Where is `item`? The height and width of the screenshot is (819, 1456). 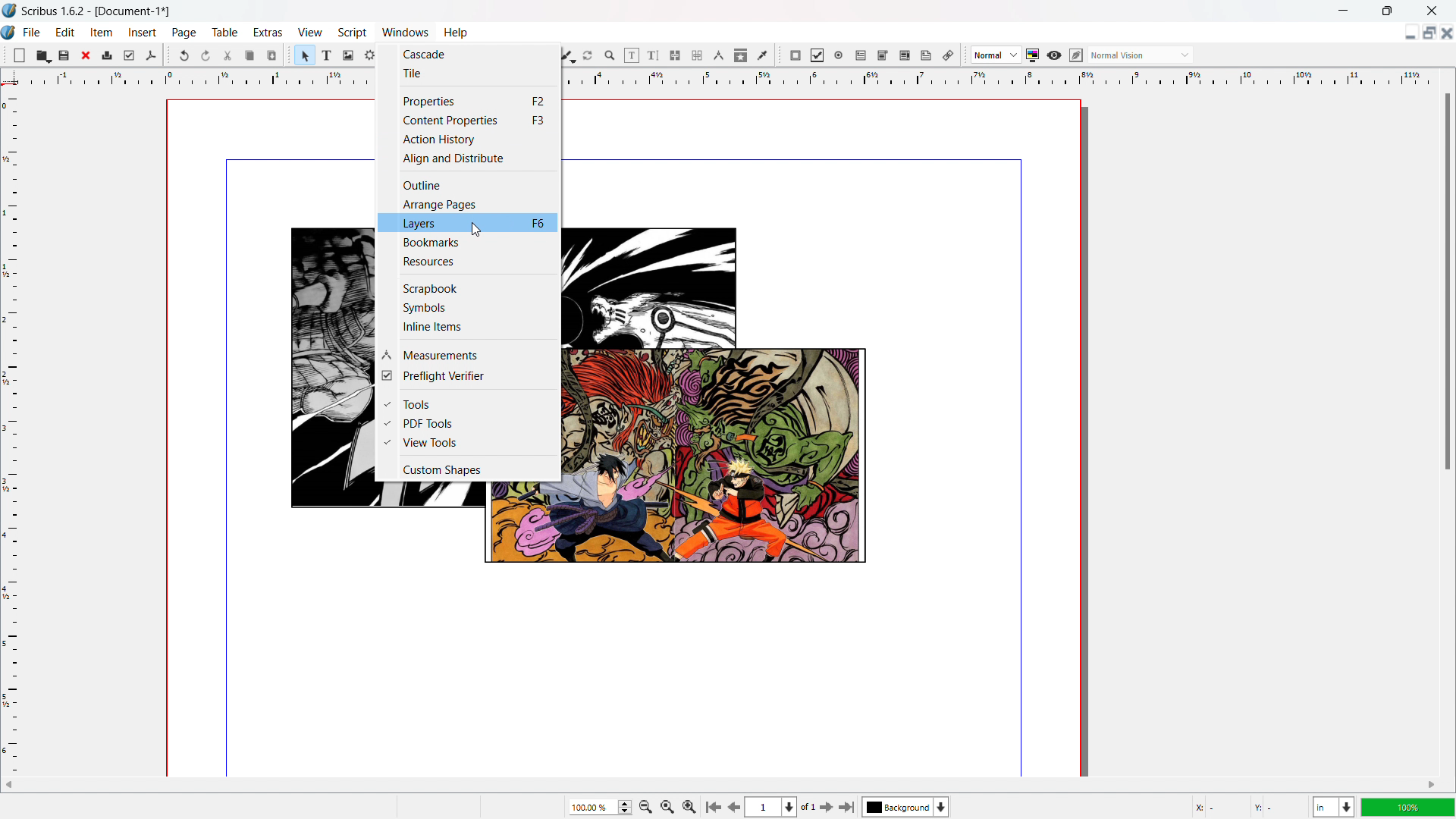 item is located at coordinates (102, 33).